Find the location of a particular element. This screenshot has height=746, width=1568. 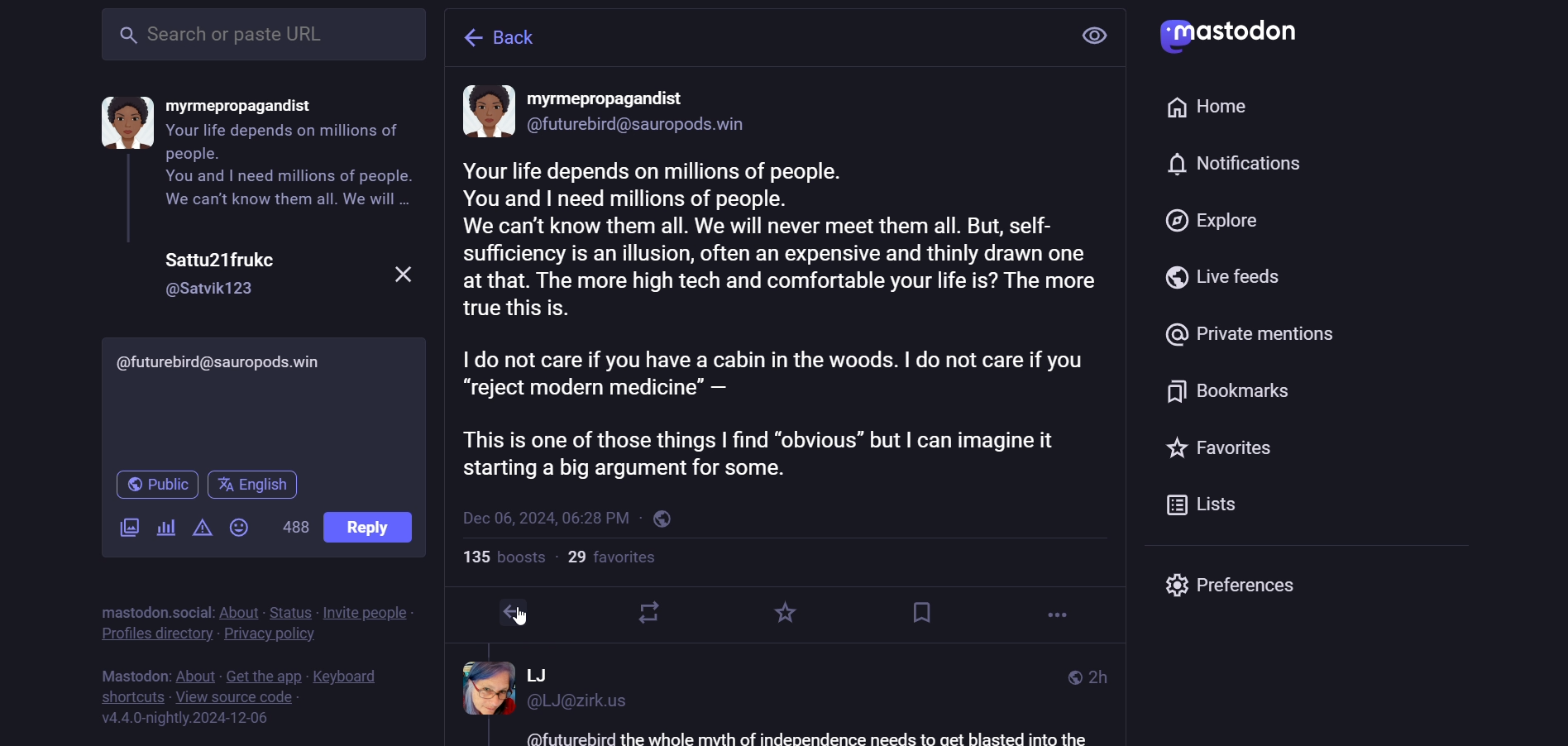

bookmark is located at coordinates (1230, 390).